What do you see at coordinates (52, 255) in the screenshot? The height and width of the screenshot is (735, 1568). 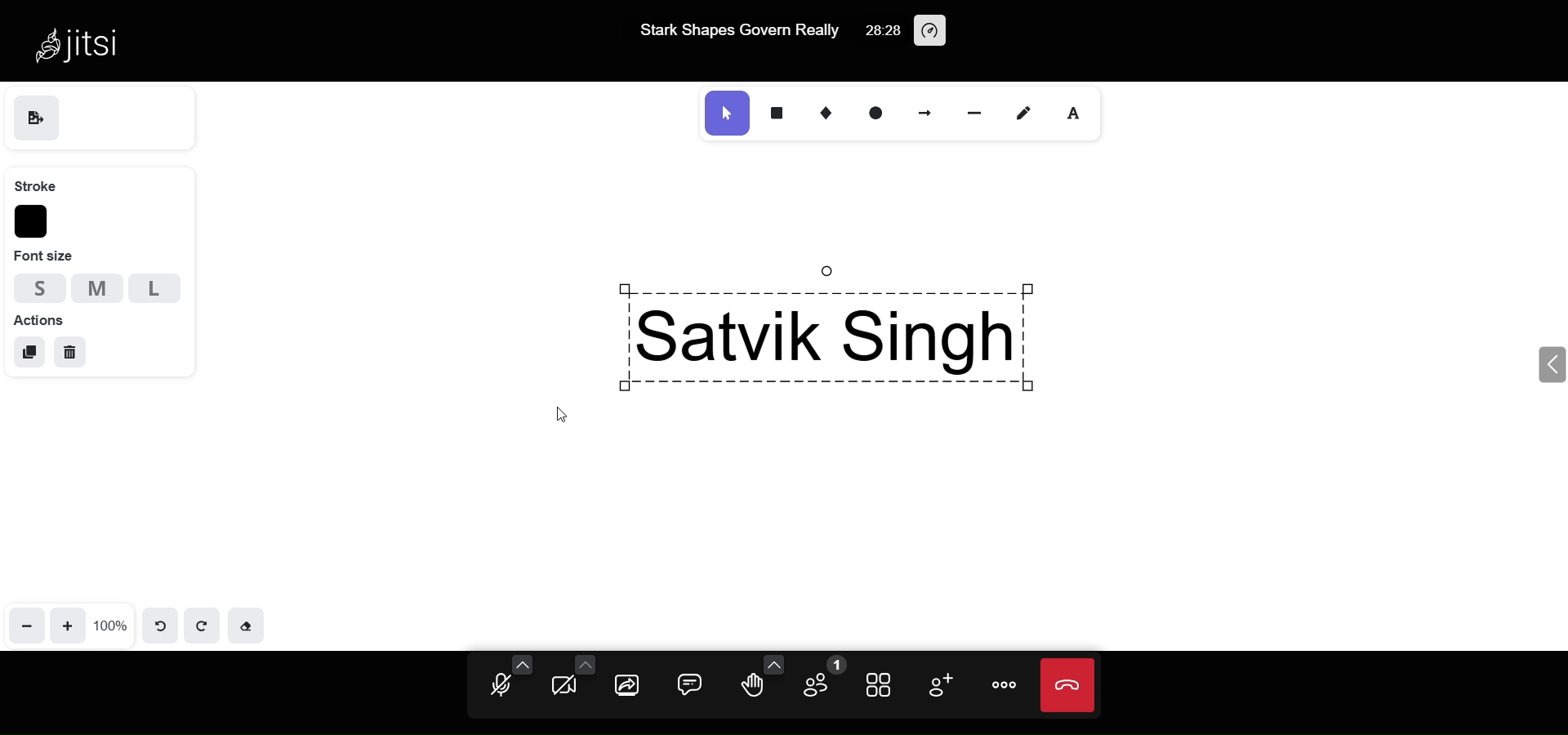 I see `font size` at bounding box center [52, 255].